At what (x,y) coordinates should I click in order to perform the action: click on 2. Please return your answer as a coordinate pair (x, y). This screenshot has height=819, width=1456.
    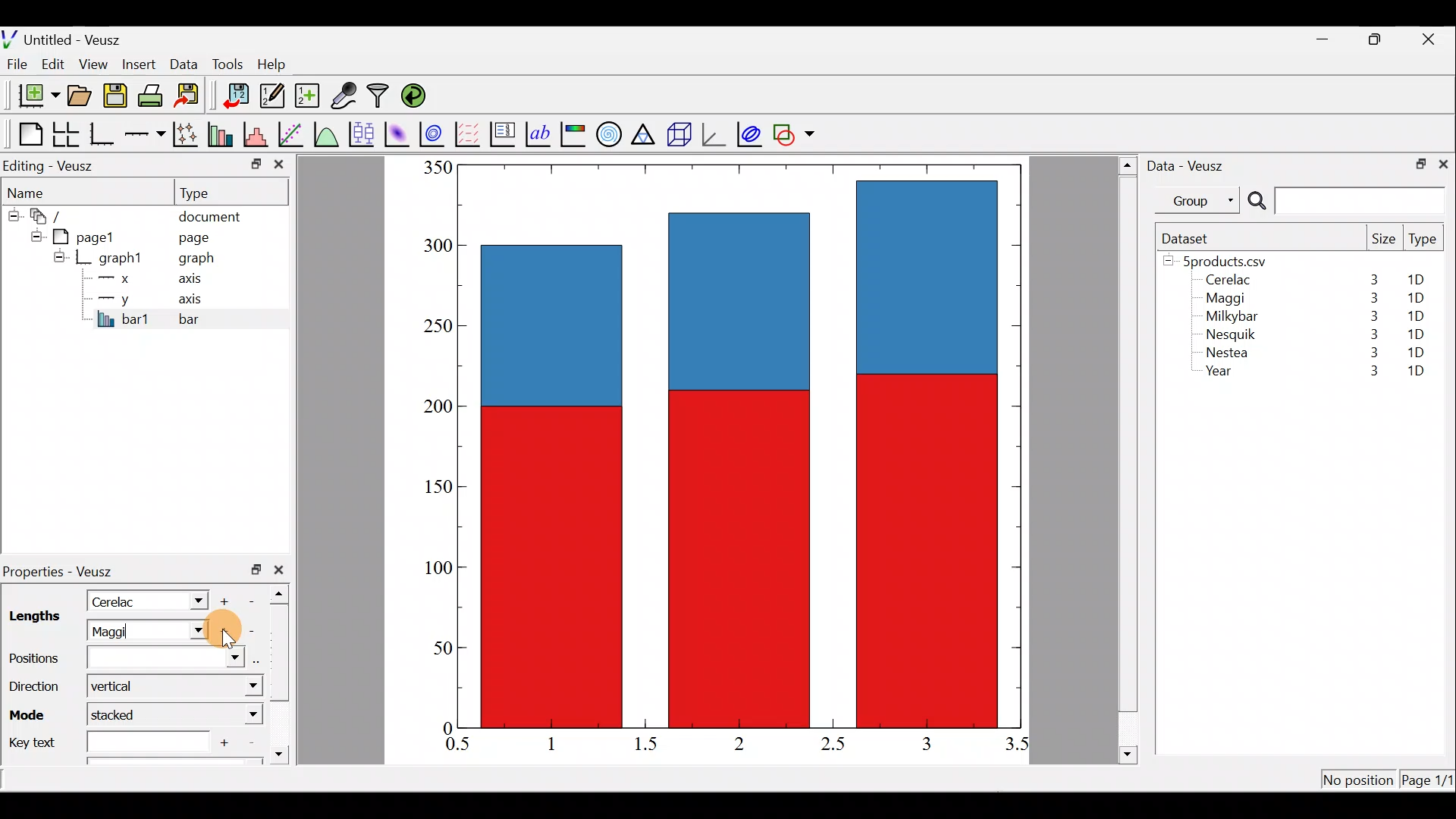
    Looking at the image, I should click on (736, 742).